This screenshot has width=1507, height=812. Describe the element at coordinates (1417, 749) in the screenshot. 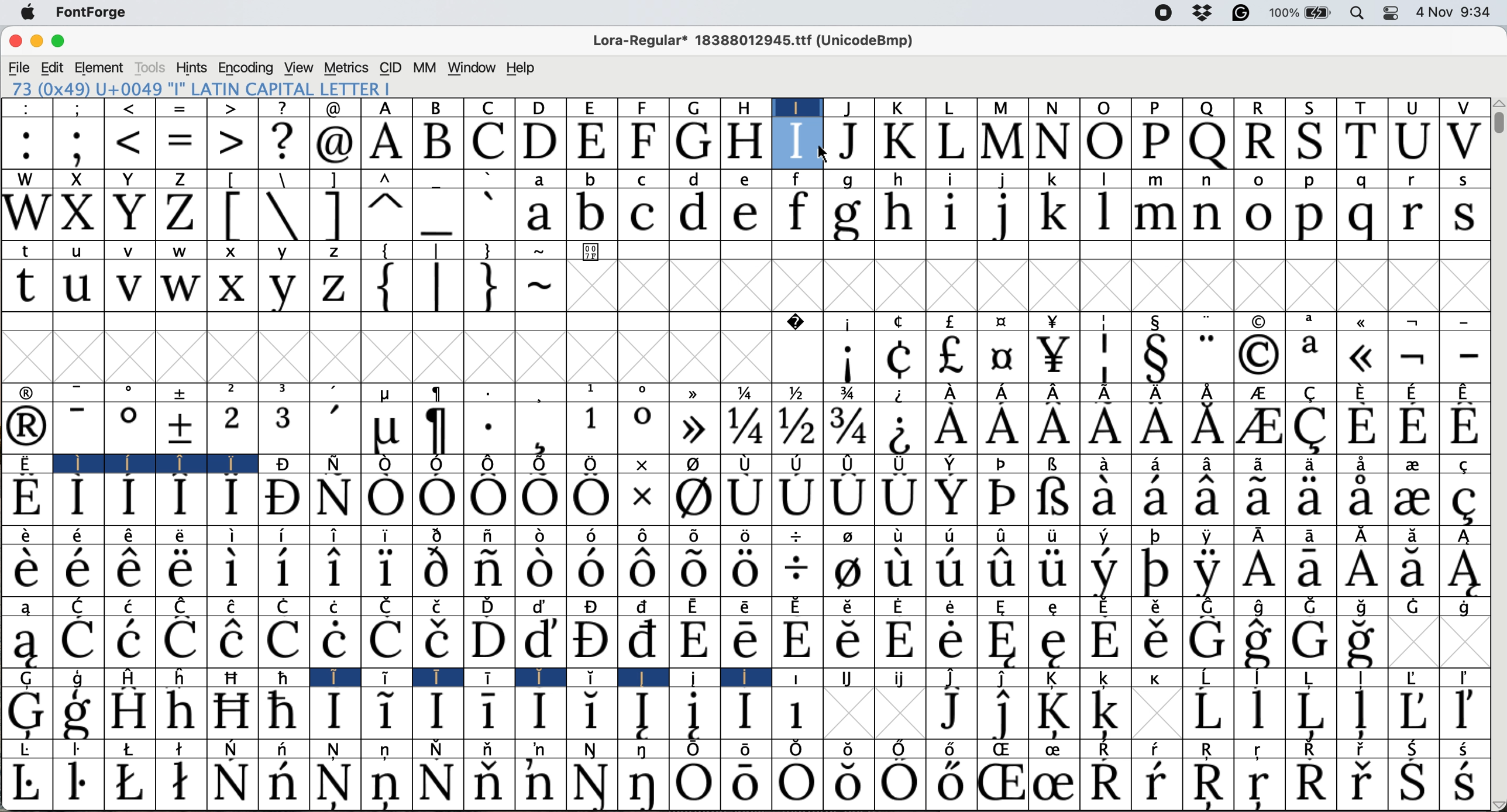

I see `Symbol` at that location.